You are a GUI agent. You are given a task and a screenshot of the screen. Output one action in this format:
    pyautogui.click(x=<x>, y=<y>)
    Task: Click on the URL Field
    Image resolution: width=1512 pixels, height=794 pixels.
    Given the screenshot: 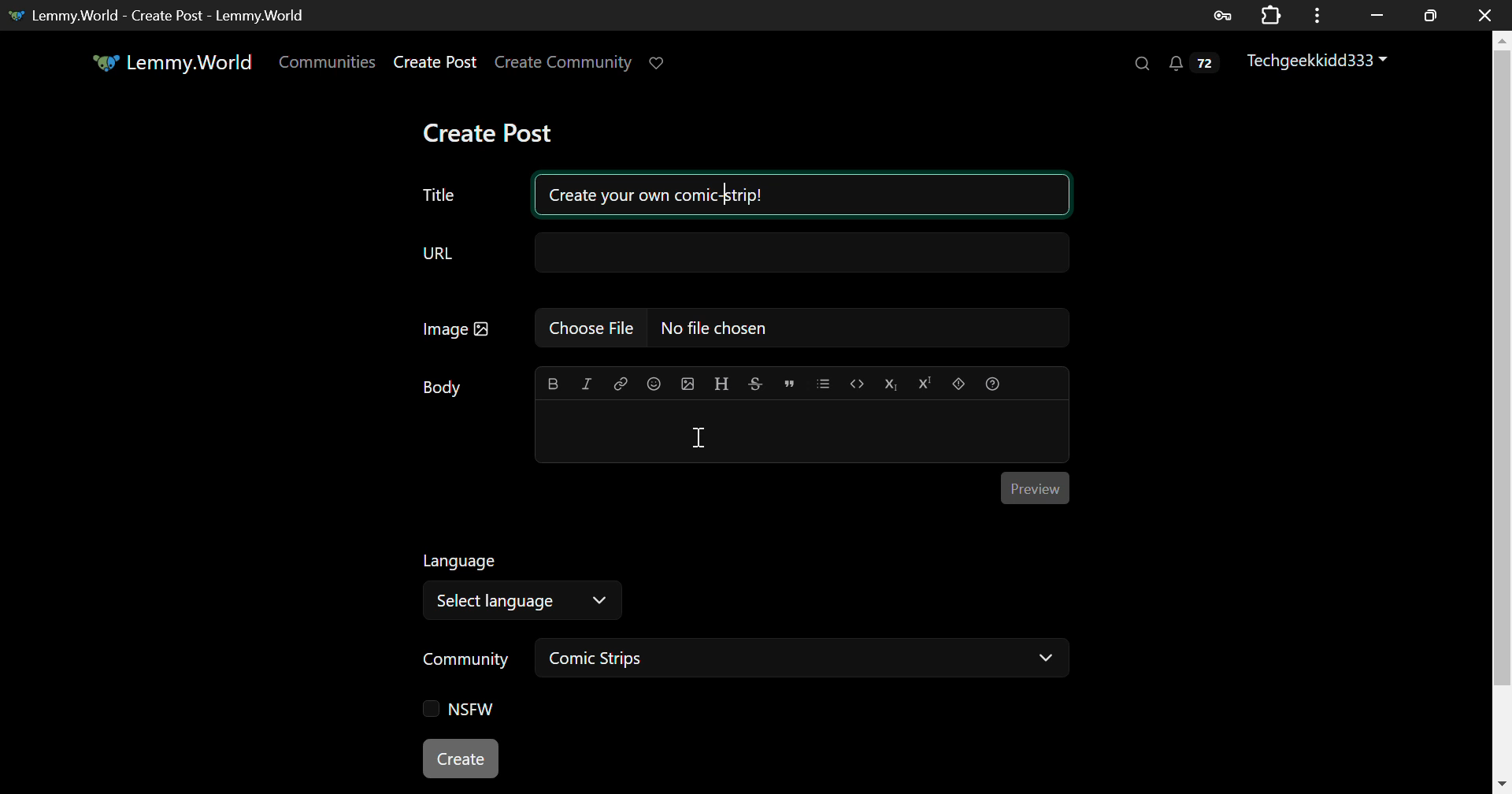 What is the action you would take?
    pyautogui.click(x=740, y=254)
    